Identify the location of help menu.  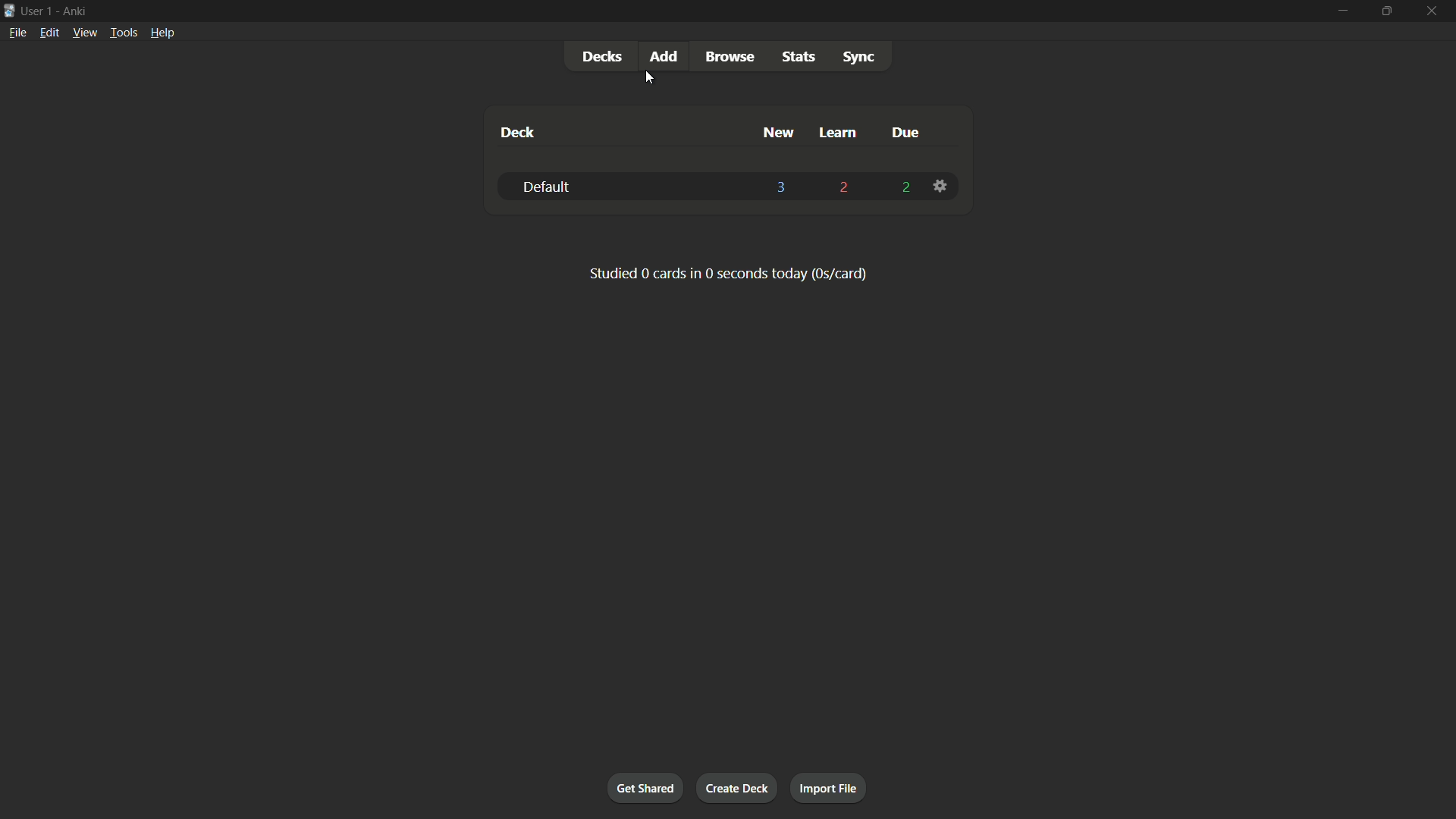
(162, 33).